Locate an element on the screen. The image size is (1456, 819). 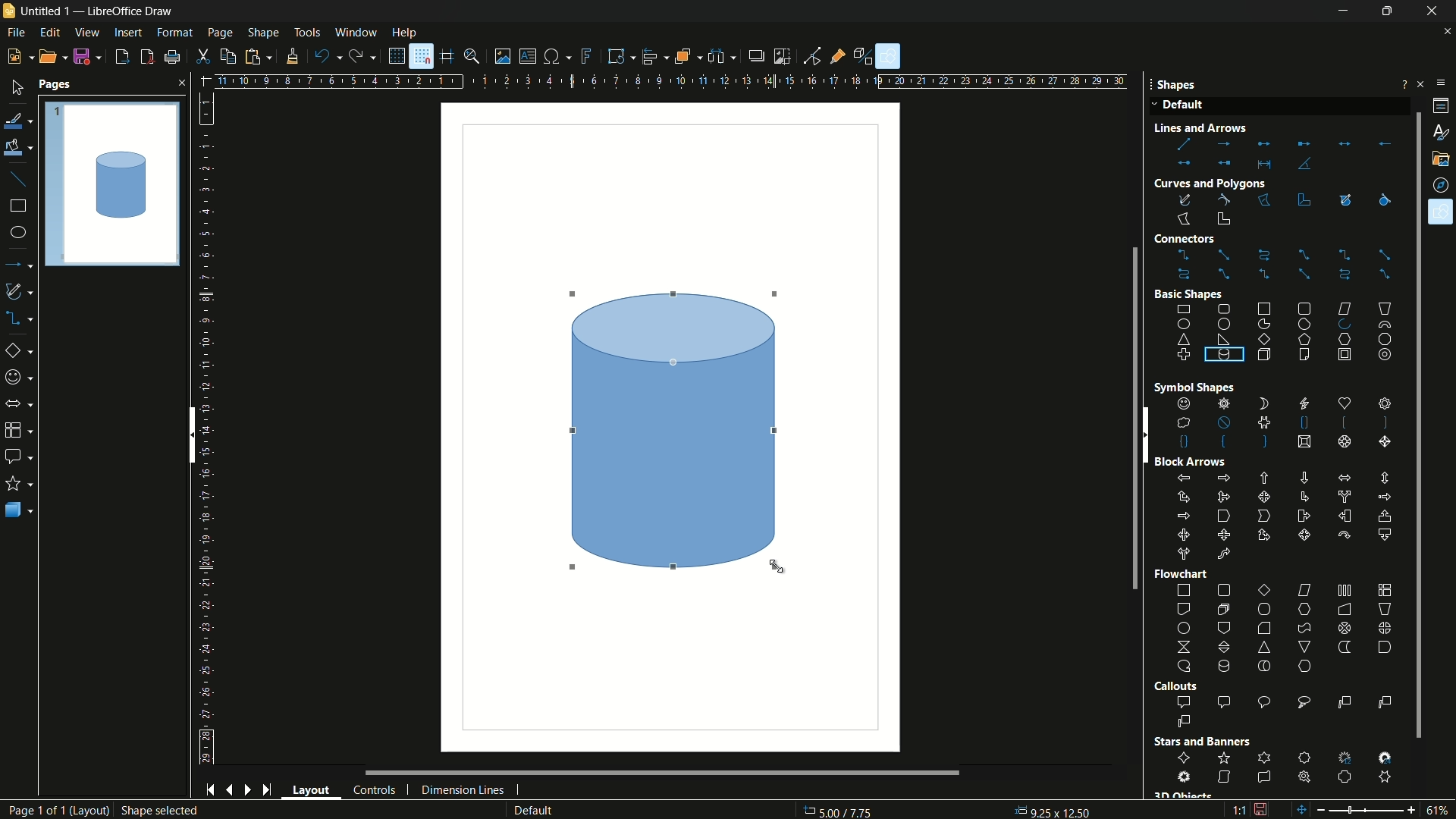
show draw functions is located at coordinates (890, 56).